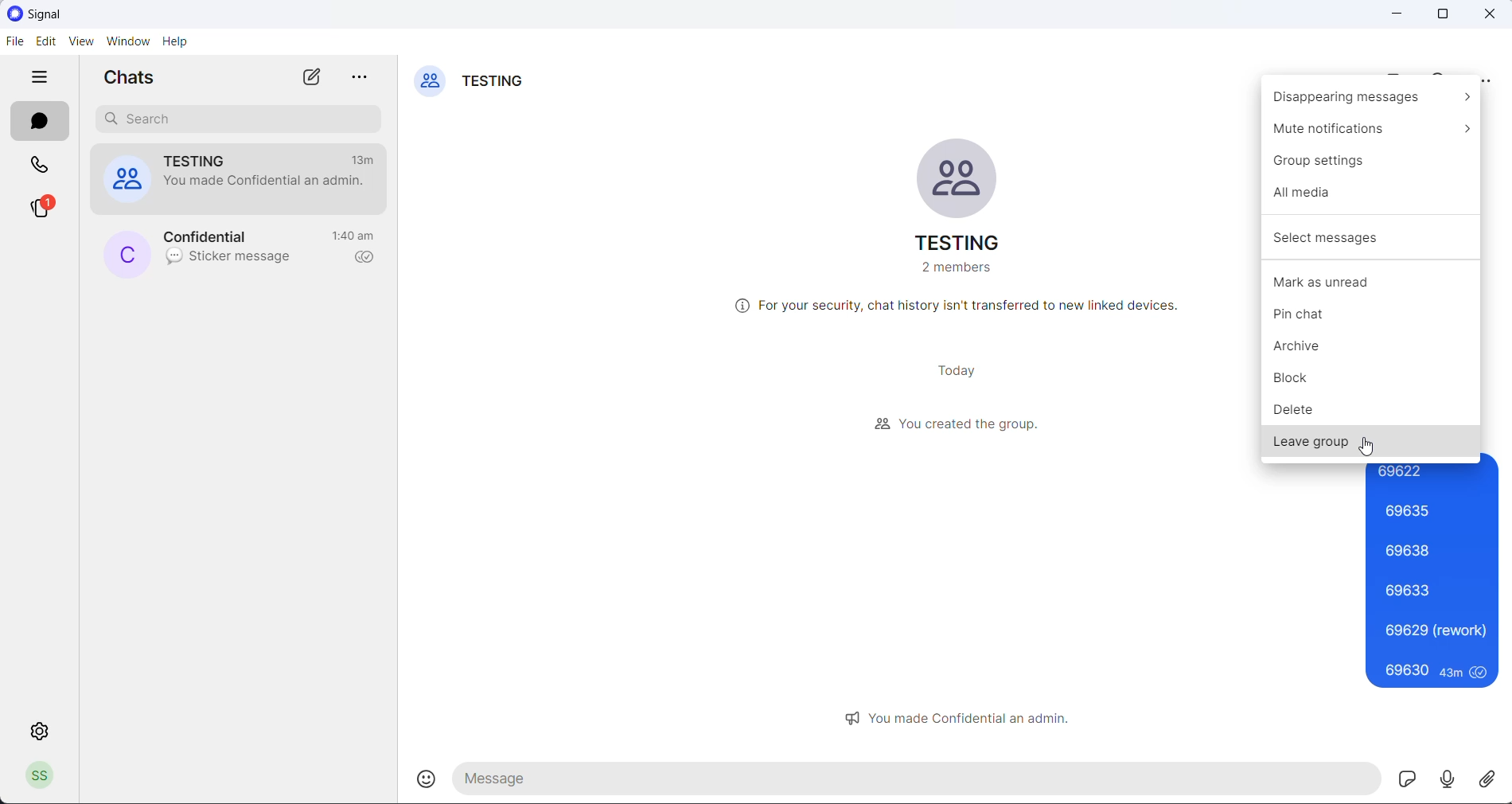 Image resolution: width=1512 pixels, height=804 pixels. Describe the element at coordinates (12, 42) in the screenshot. I see `file` at that location.